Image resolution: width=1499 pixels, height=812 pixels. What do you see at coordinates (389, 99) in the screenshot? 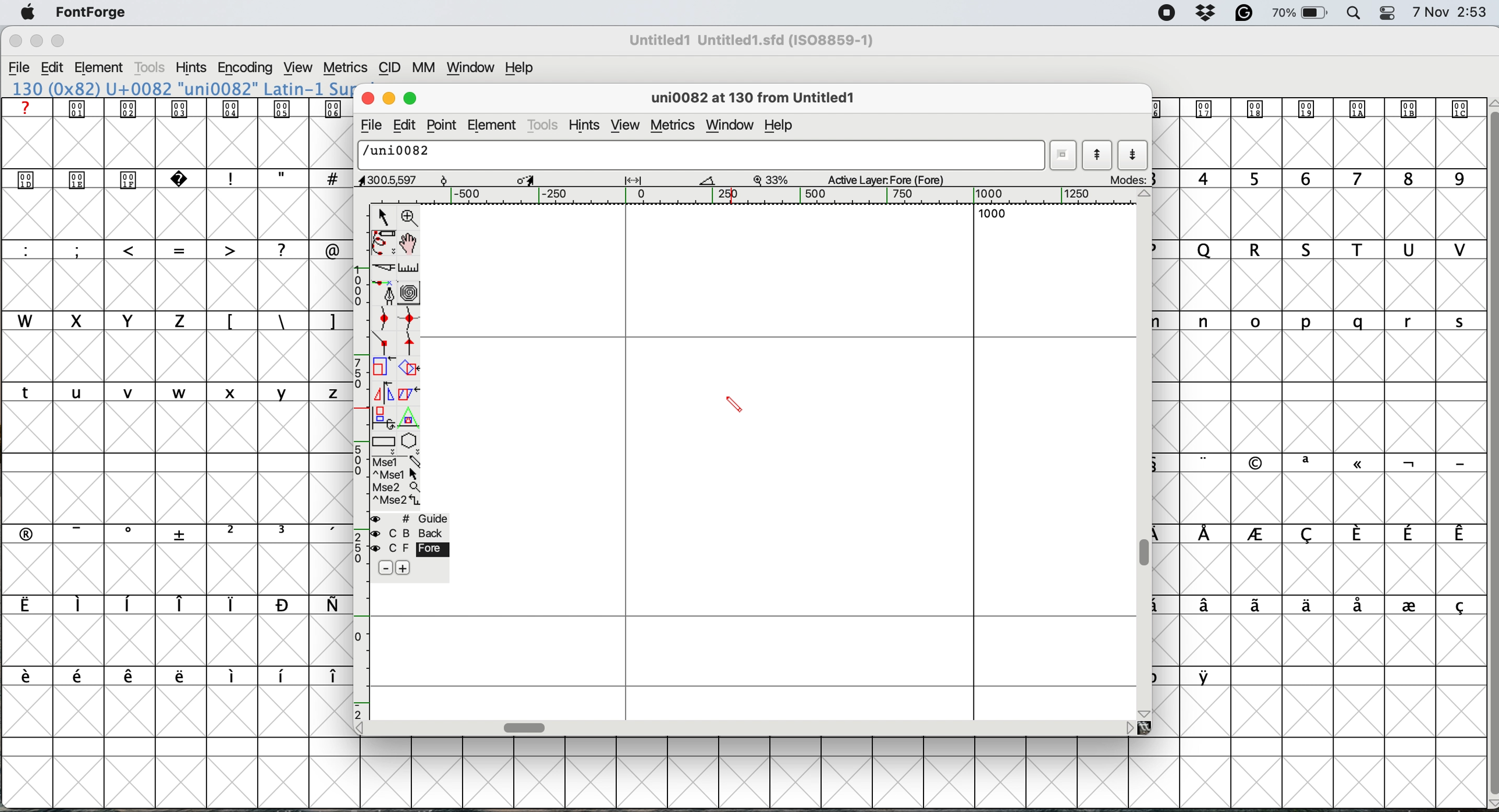
I see `minimise` at bounding box center [389, 99].